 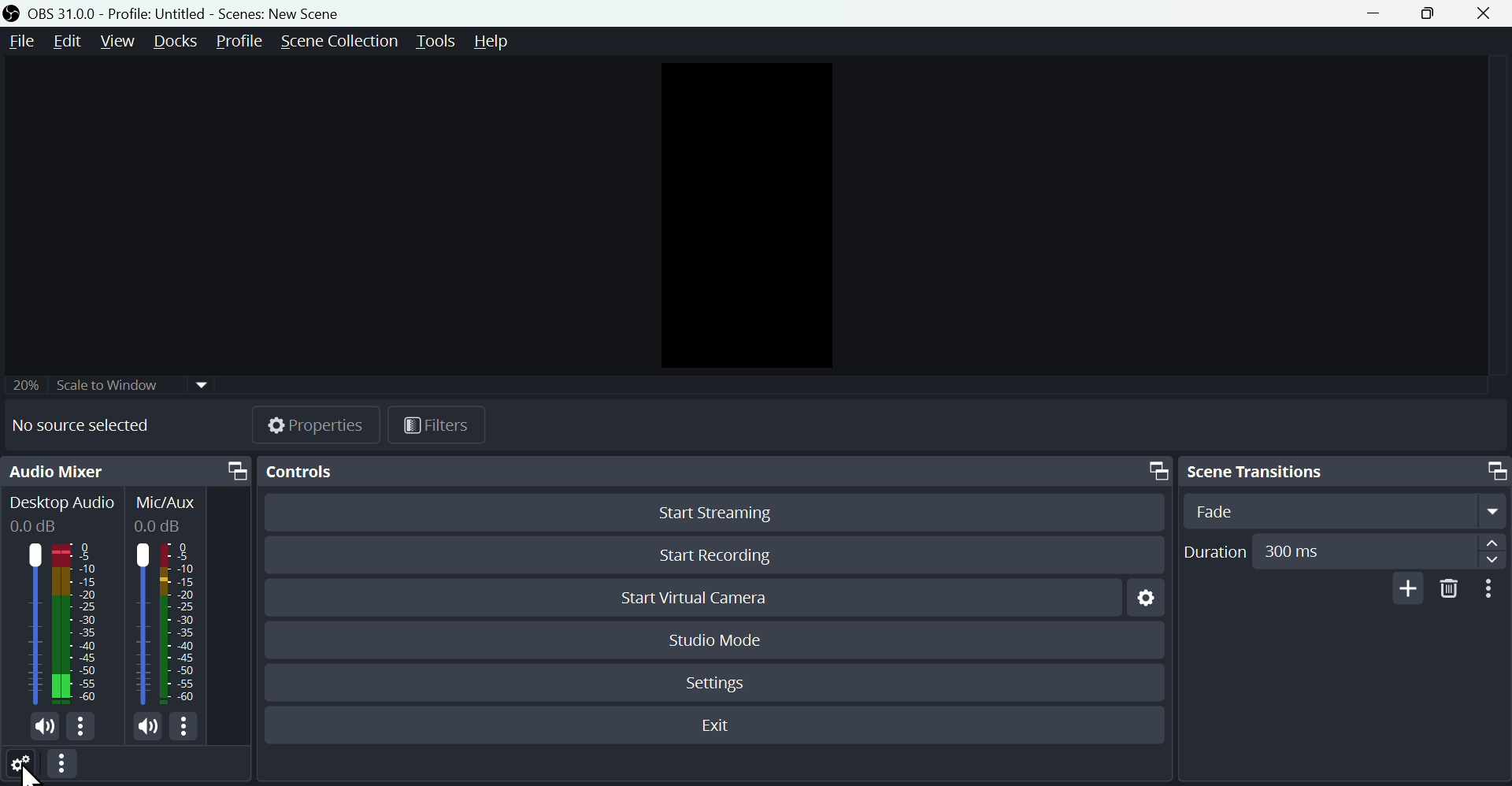 I want to click on Start recording, so click(x=724, y=552).